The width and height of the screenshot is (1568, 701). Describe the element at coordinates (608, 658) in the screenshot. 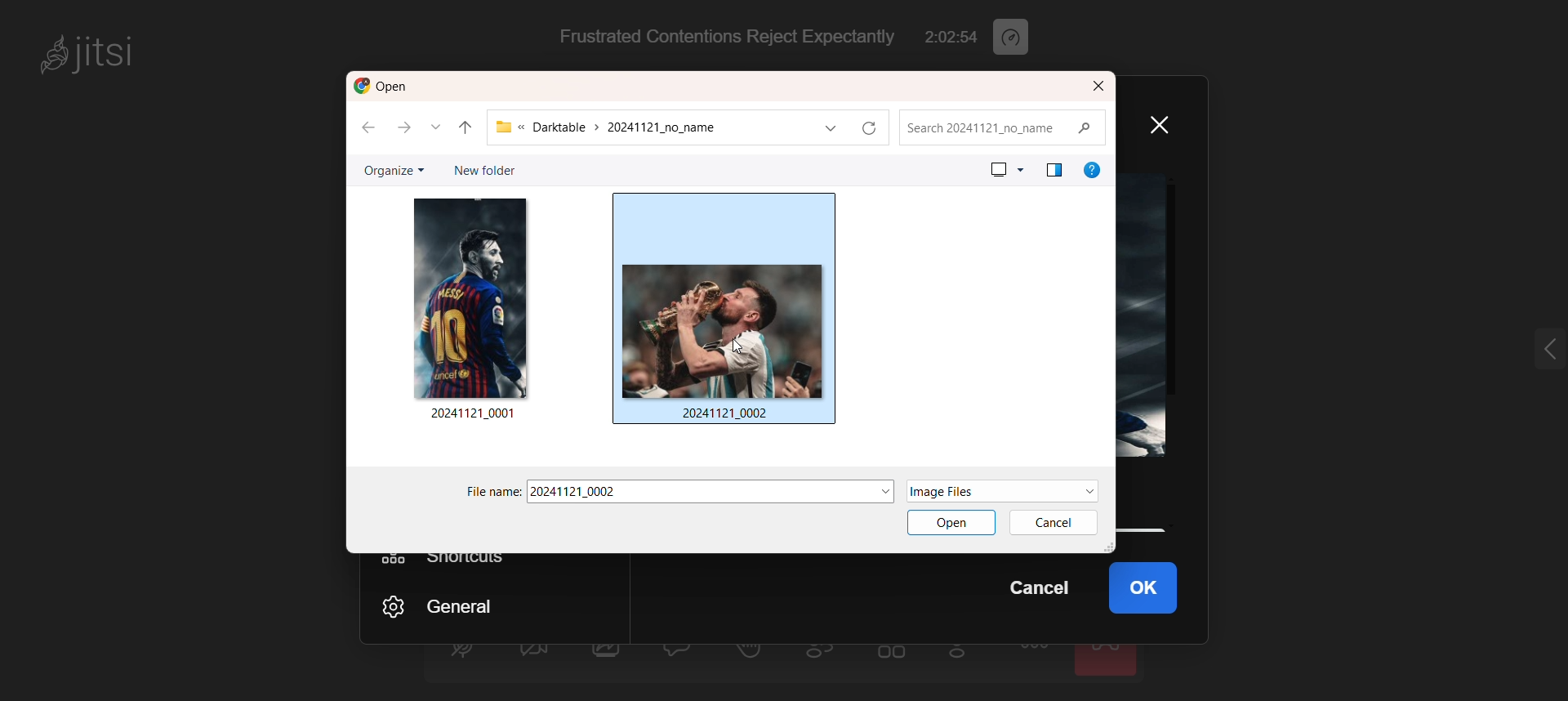

I see `share screen` at that location.